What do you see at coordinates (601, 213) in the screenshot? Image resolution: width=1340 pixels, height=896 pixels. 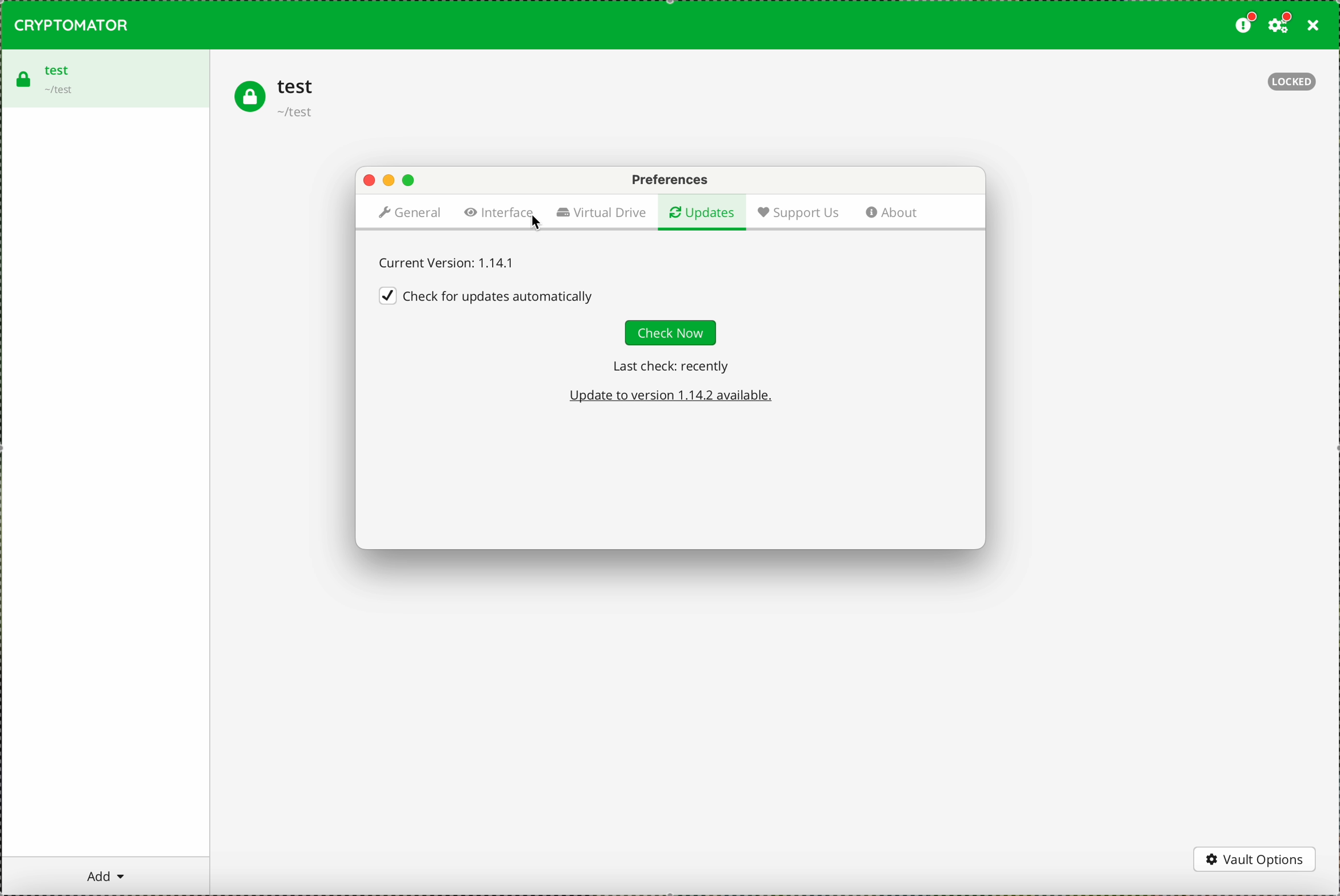 I see `virtual drive` at bounding box center [601, 213].